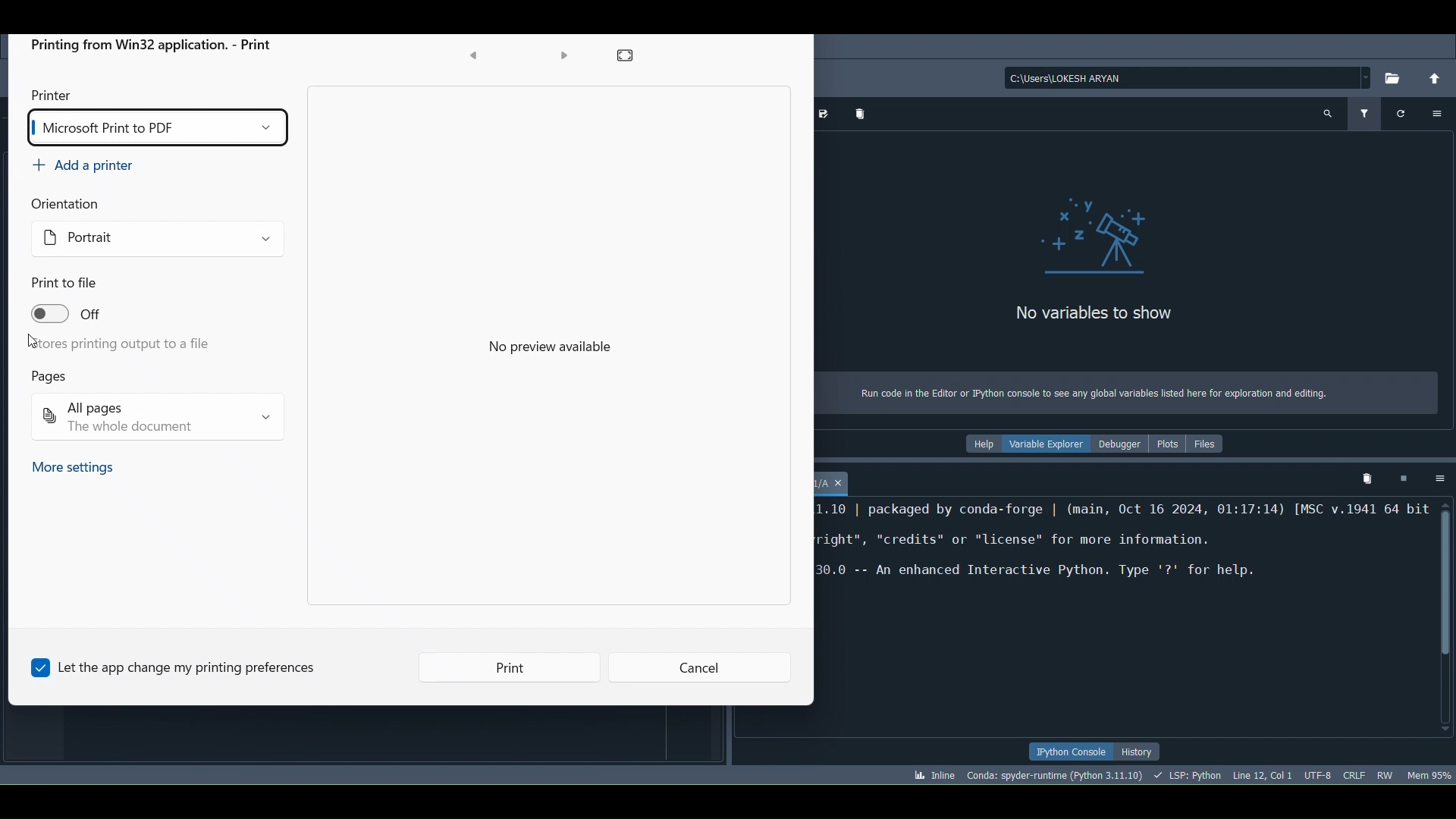 The width and height of the screenshot is (1456, 819). Describe the element at coordinates (1436, 76) in the screenshot. I see `Change to parent directory` at that location.